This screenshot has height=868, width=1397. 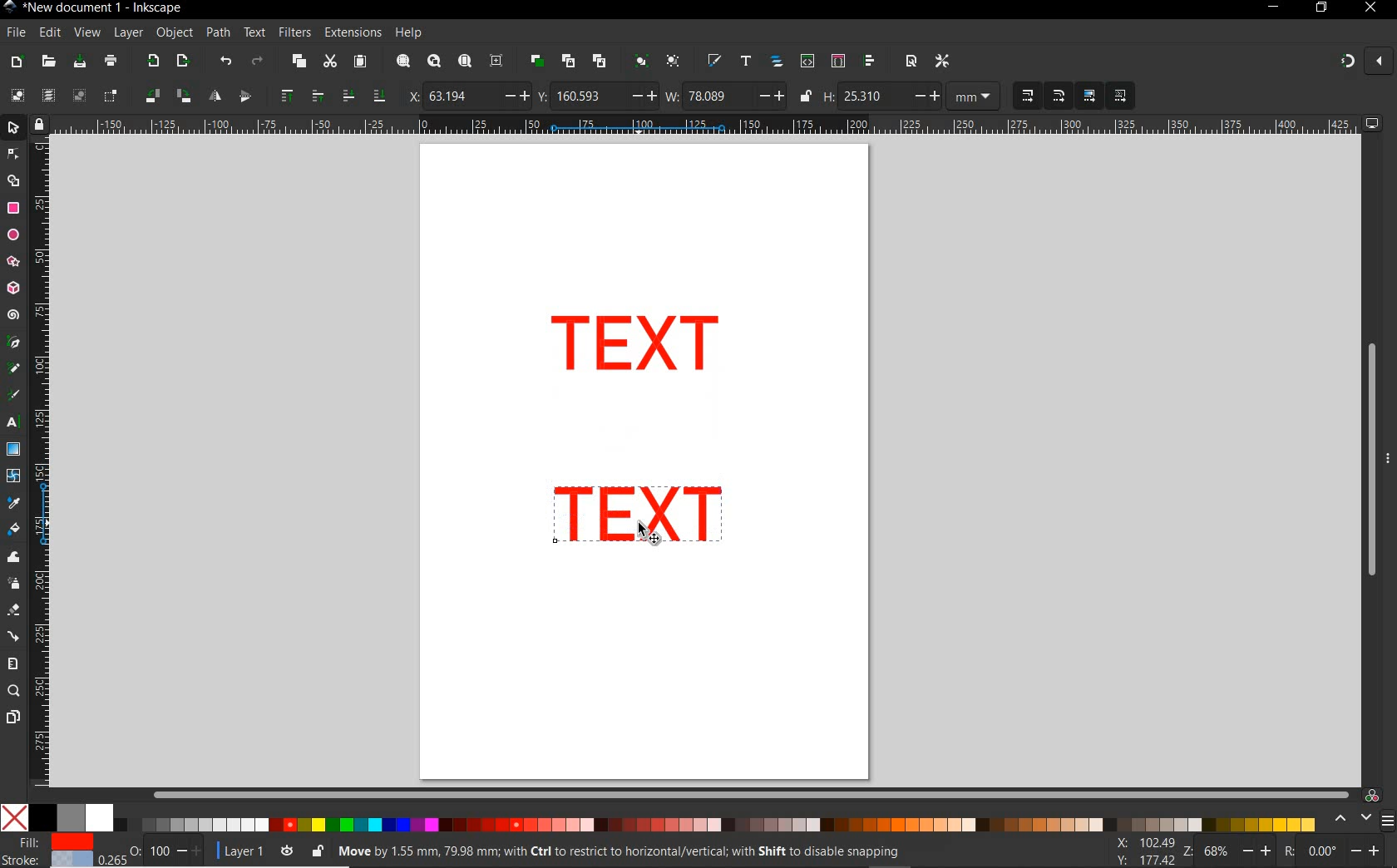 I want to click on lock/unlock to change width or height, so click(x=805, y=96).